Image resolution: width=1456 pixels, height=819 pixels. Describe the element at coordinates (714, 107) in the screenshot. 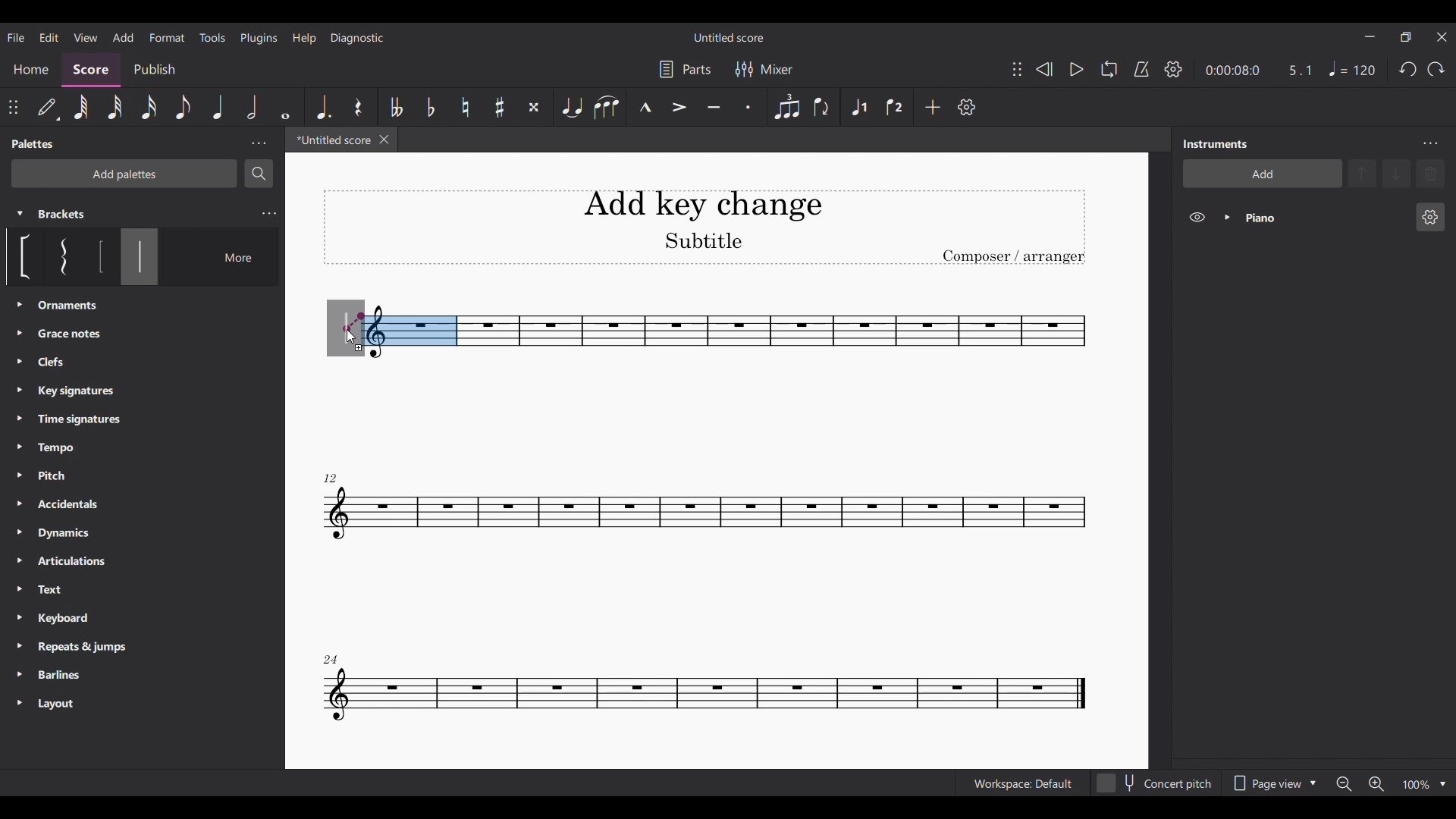

I see `Tenuto` at that location.